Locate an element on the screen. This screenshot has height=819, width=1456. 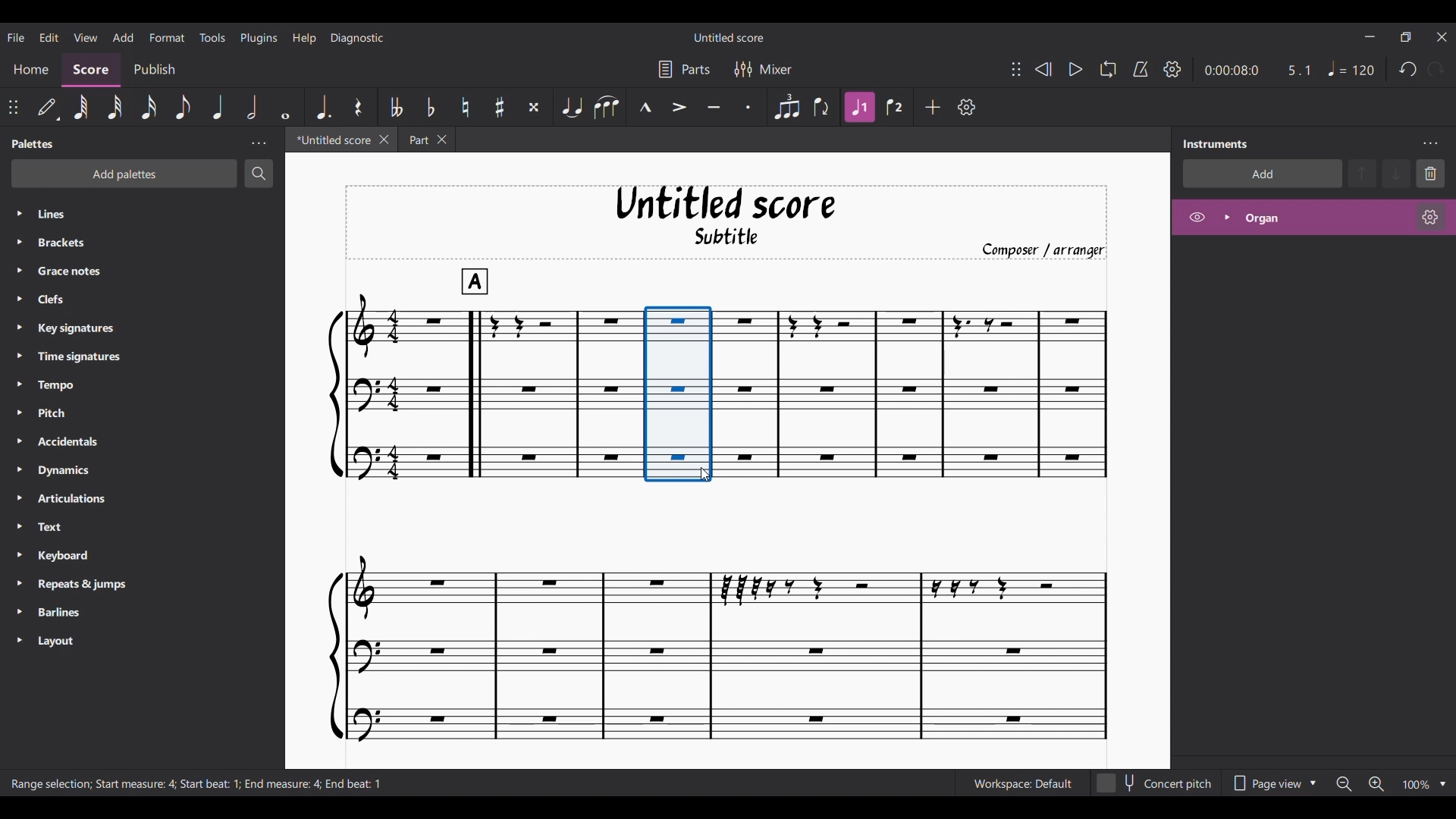
Description of current selection is located at coordinates (198, 784).